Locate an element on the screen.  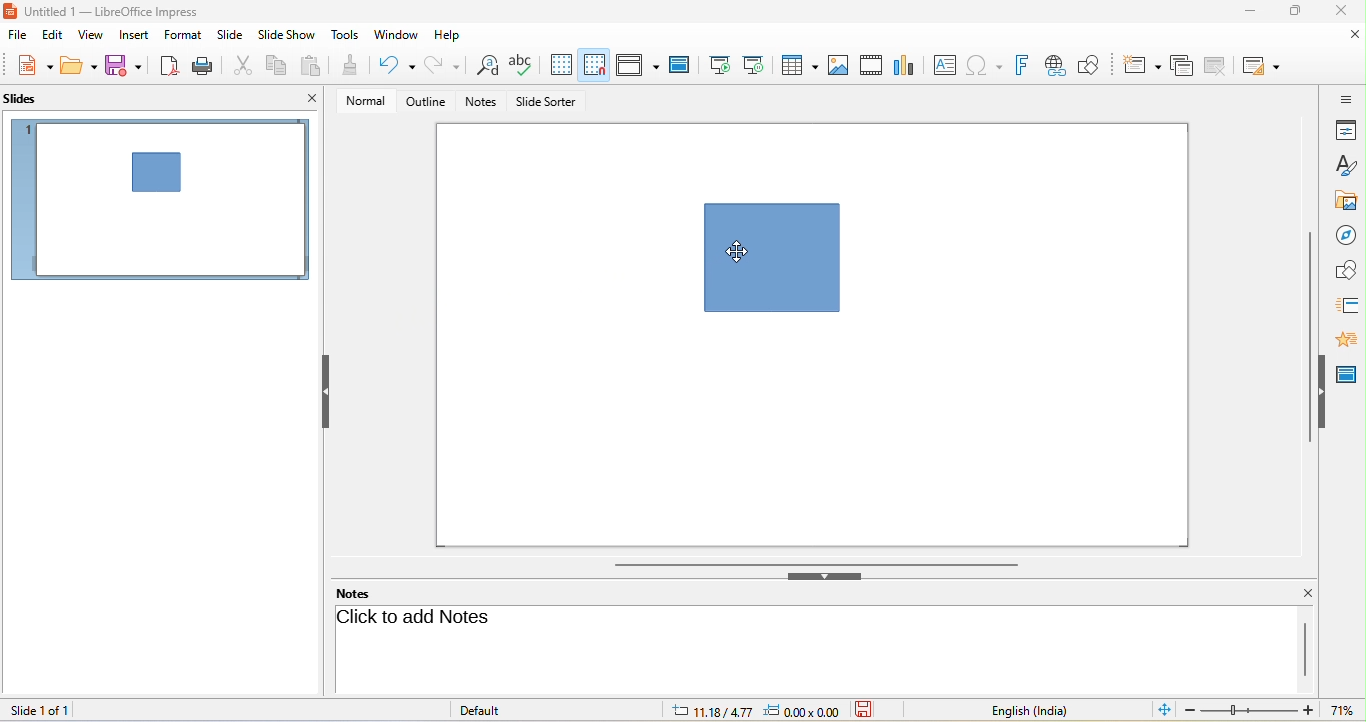
view is located at coordinates (92, 35).